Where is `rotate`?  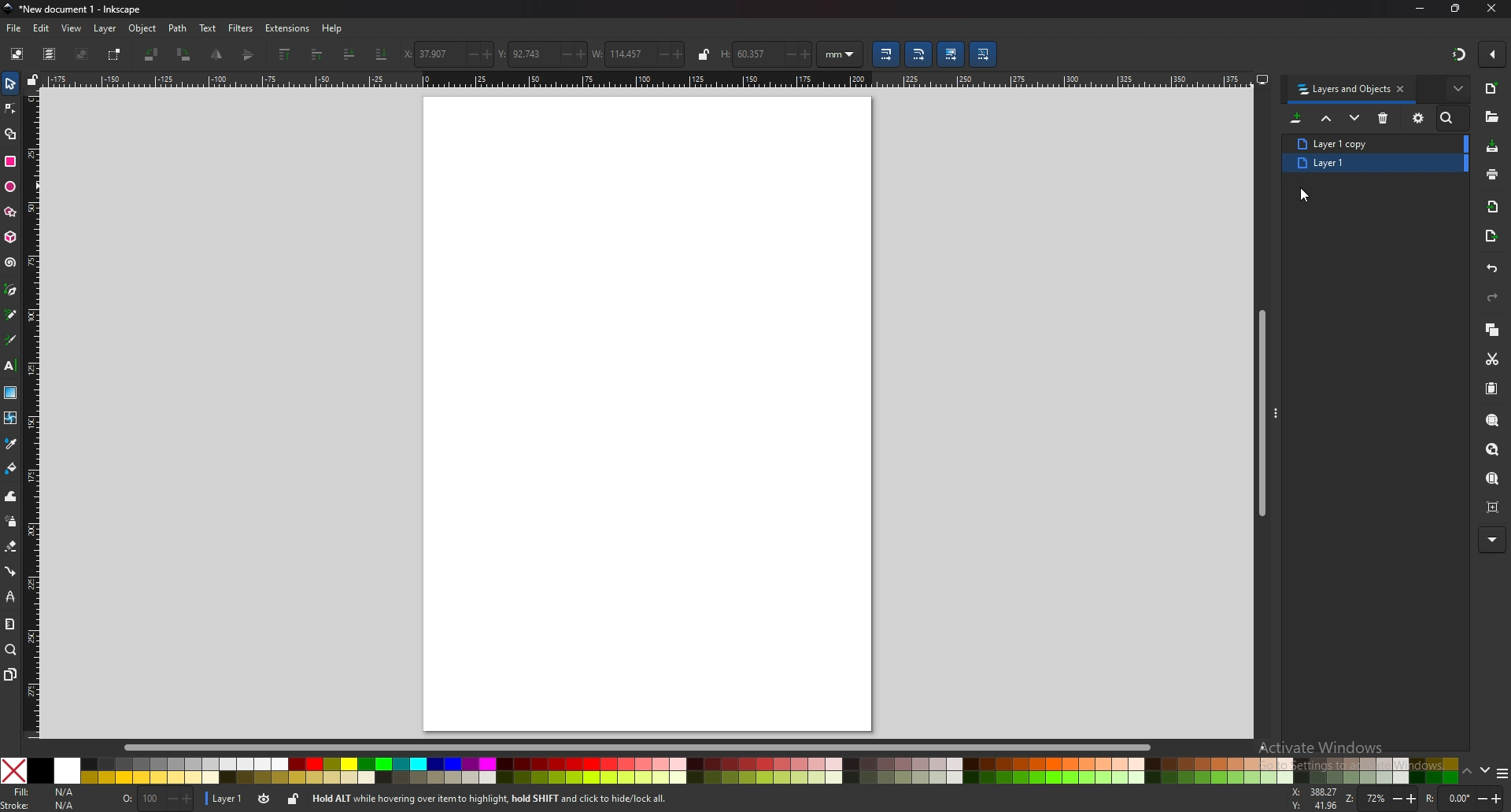
rotate is located at coordinates (1464, 798).